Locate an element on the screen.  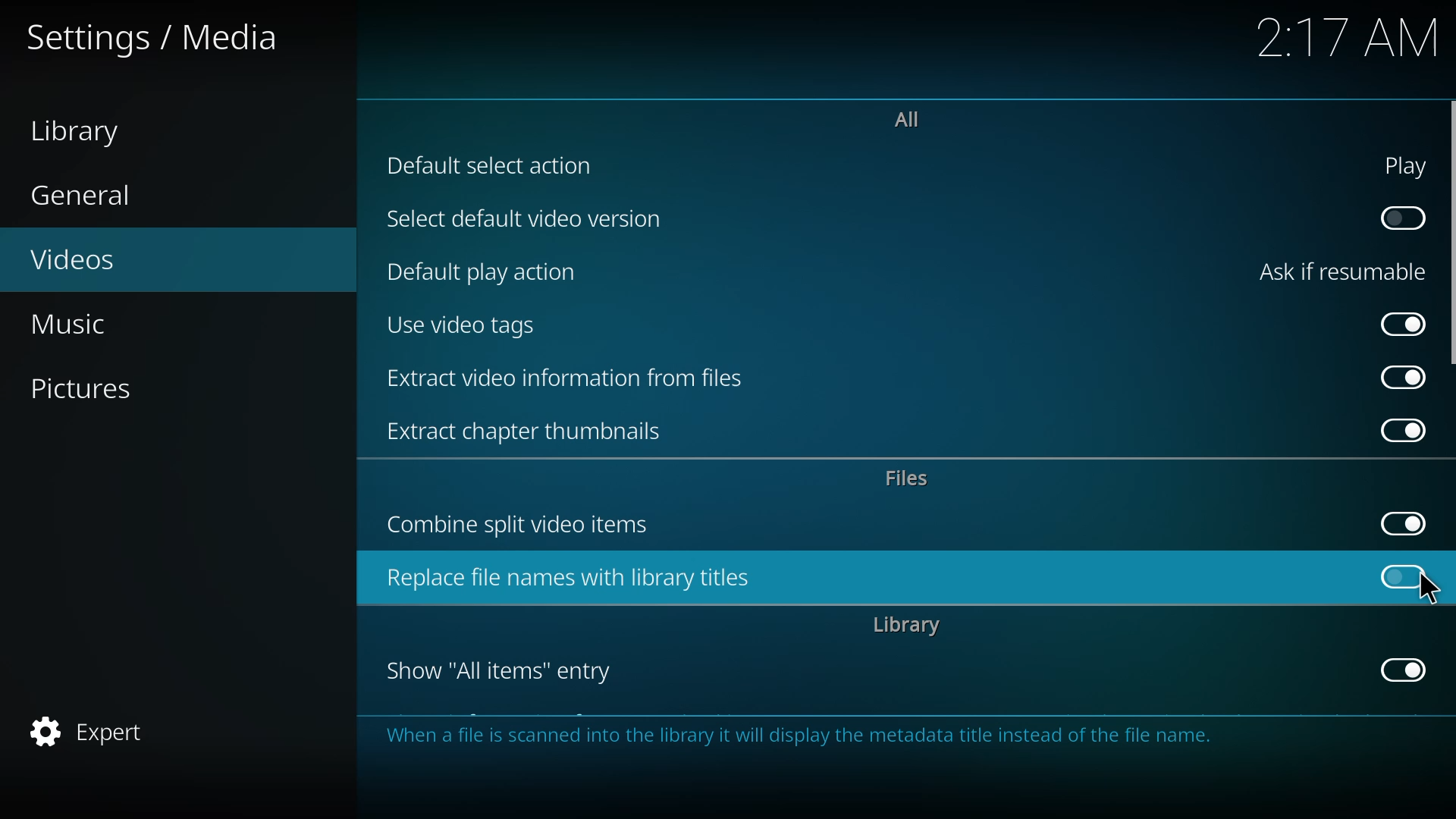
videos is located at coordinates (80, 262).